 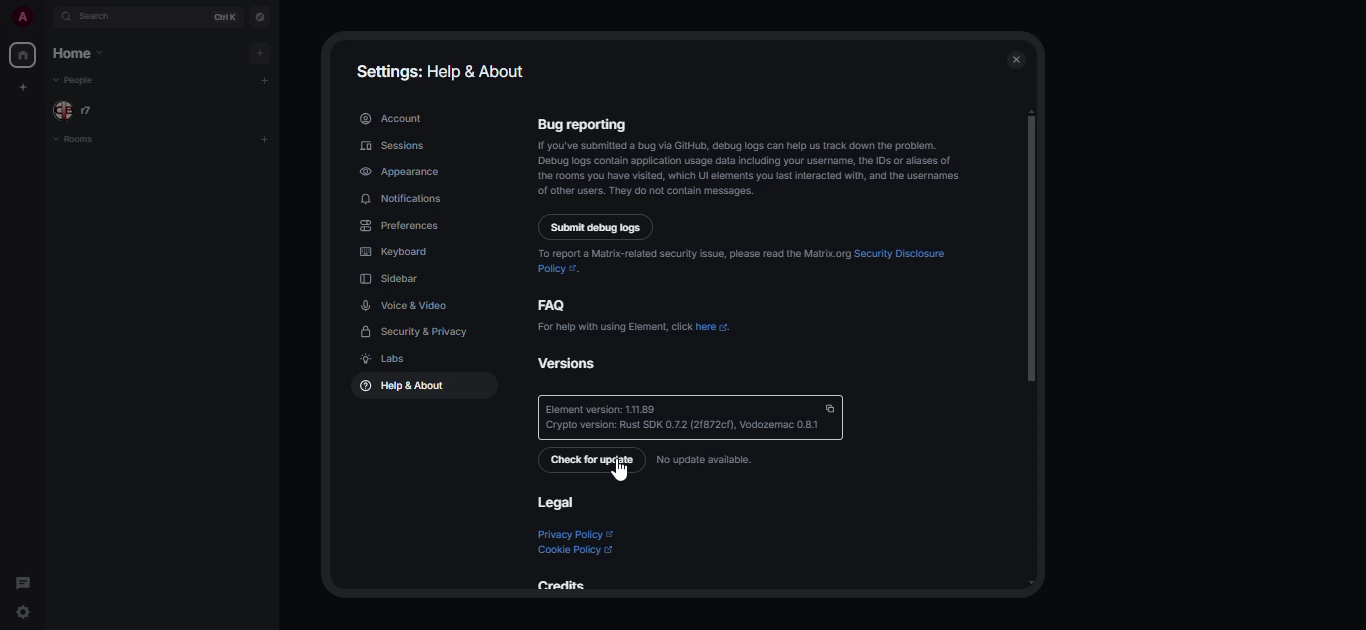 What do you see at coordinates (93, 17) in the screenshot?
I see `search` at bounding box center [93, 17].